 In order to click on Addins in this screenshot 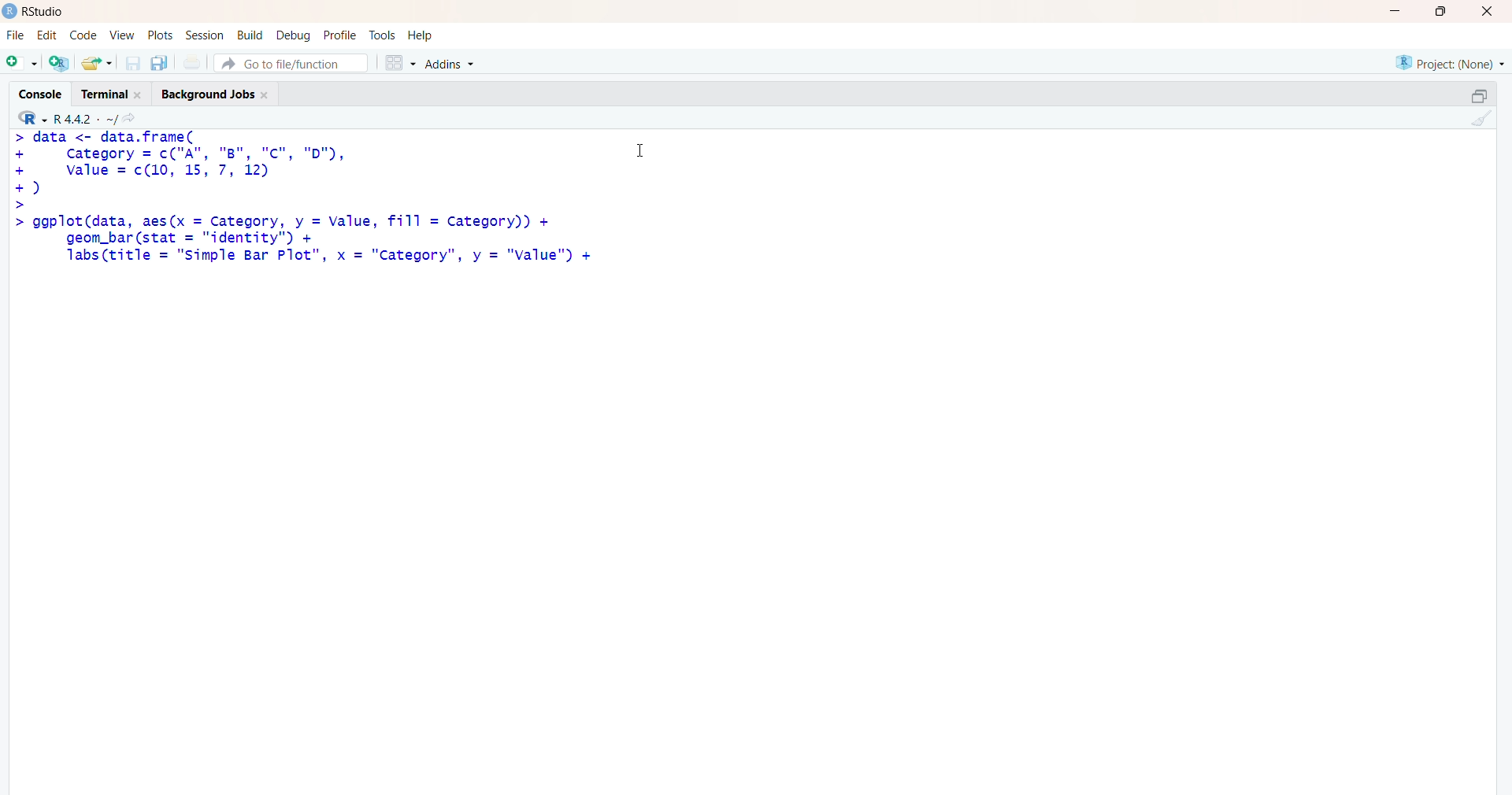, I will do `click(453, 65)`.